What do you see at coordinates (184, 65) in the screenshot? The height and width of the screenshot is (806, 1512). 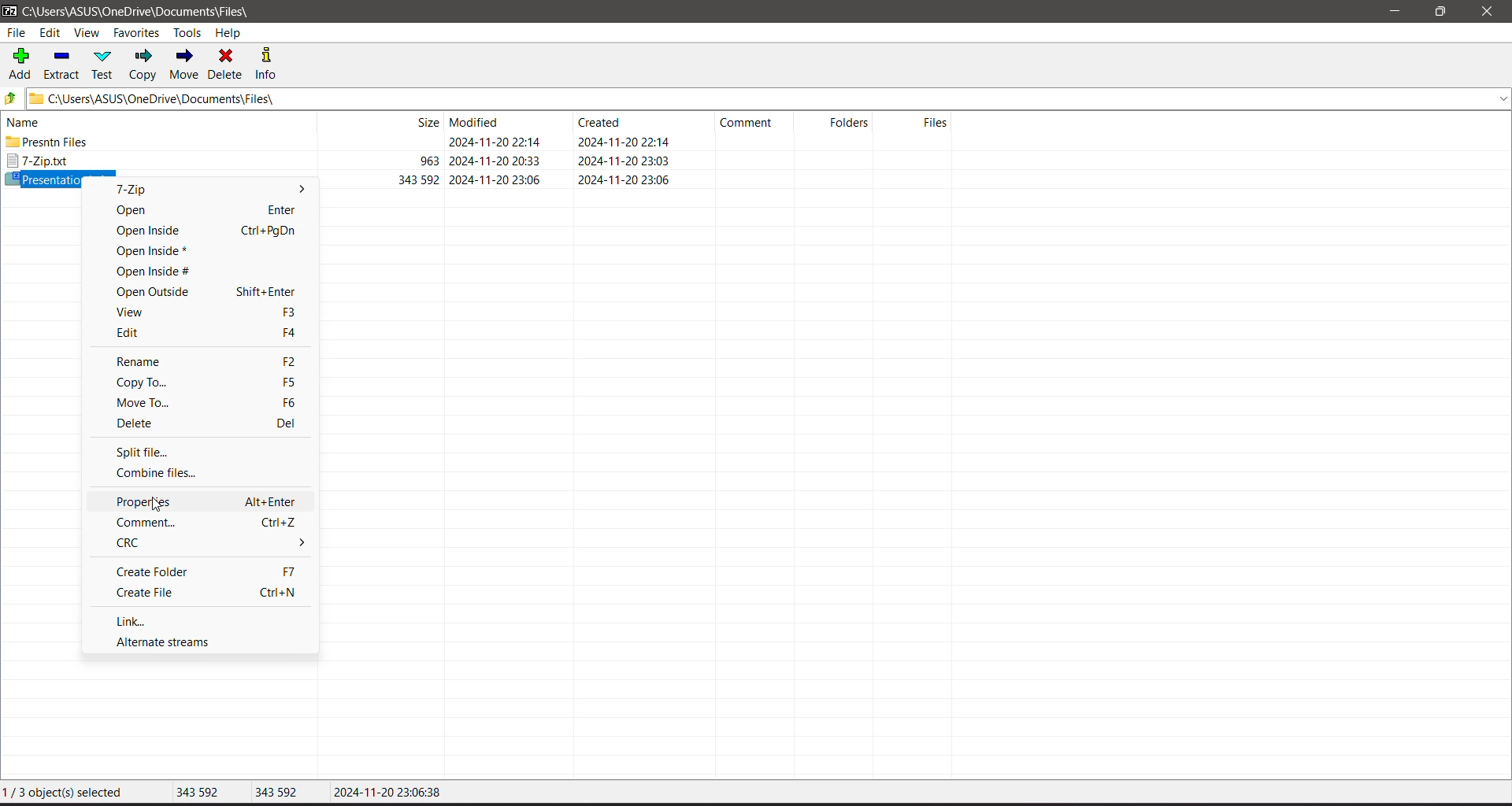 I see `Move` at bounding box center [184, 65].